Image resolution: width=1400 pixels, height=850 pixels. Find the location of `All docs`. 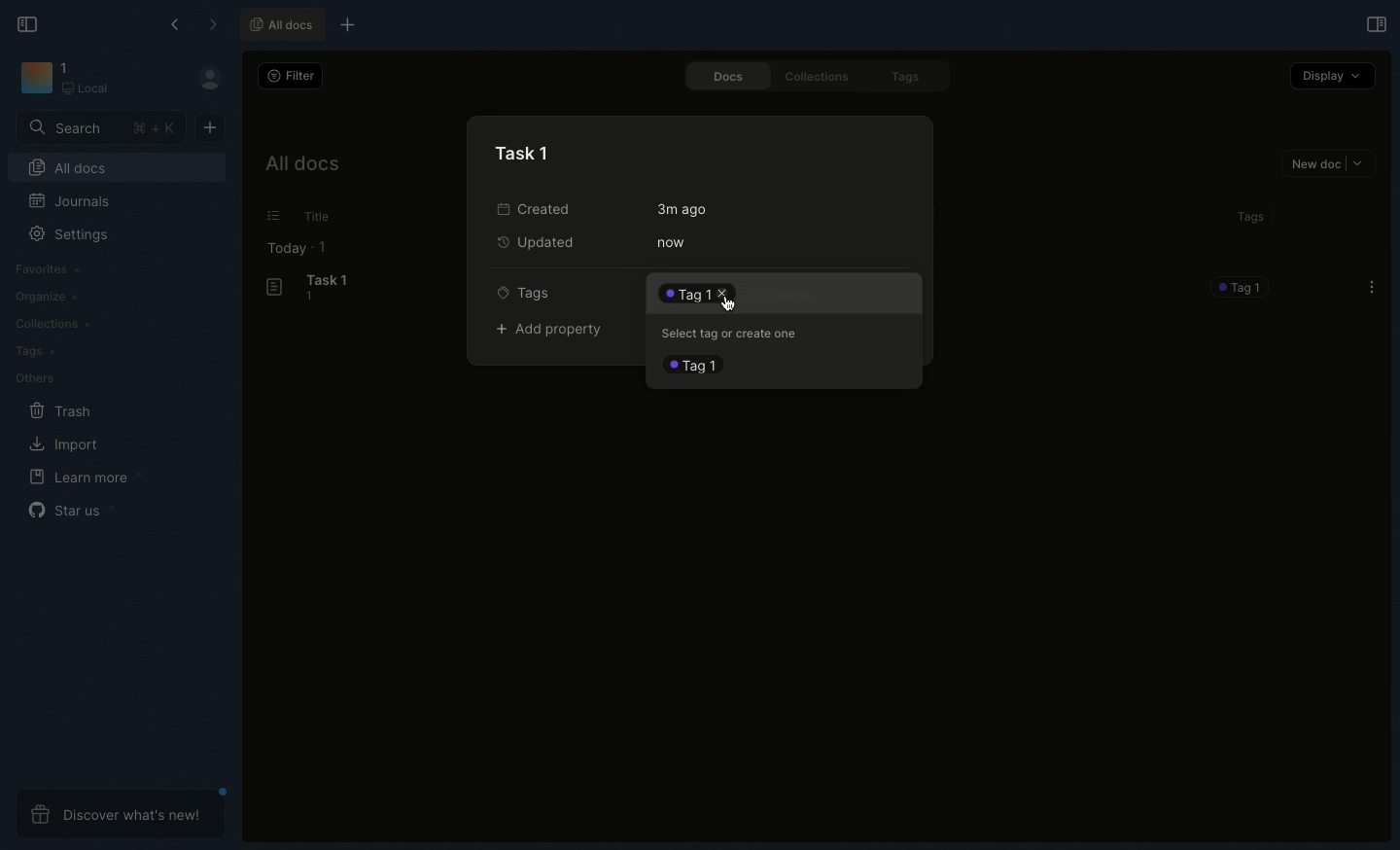

All docs is located at coordinates (282, 22).